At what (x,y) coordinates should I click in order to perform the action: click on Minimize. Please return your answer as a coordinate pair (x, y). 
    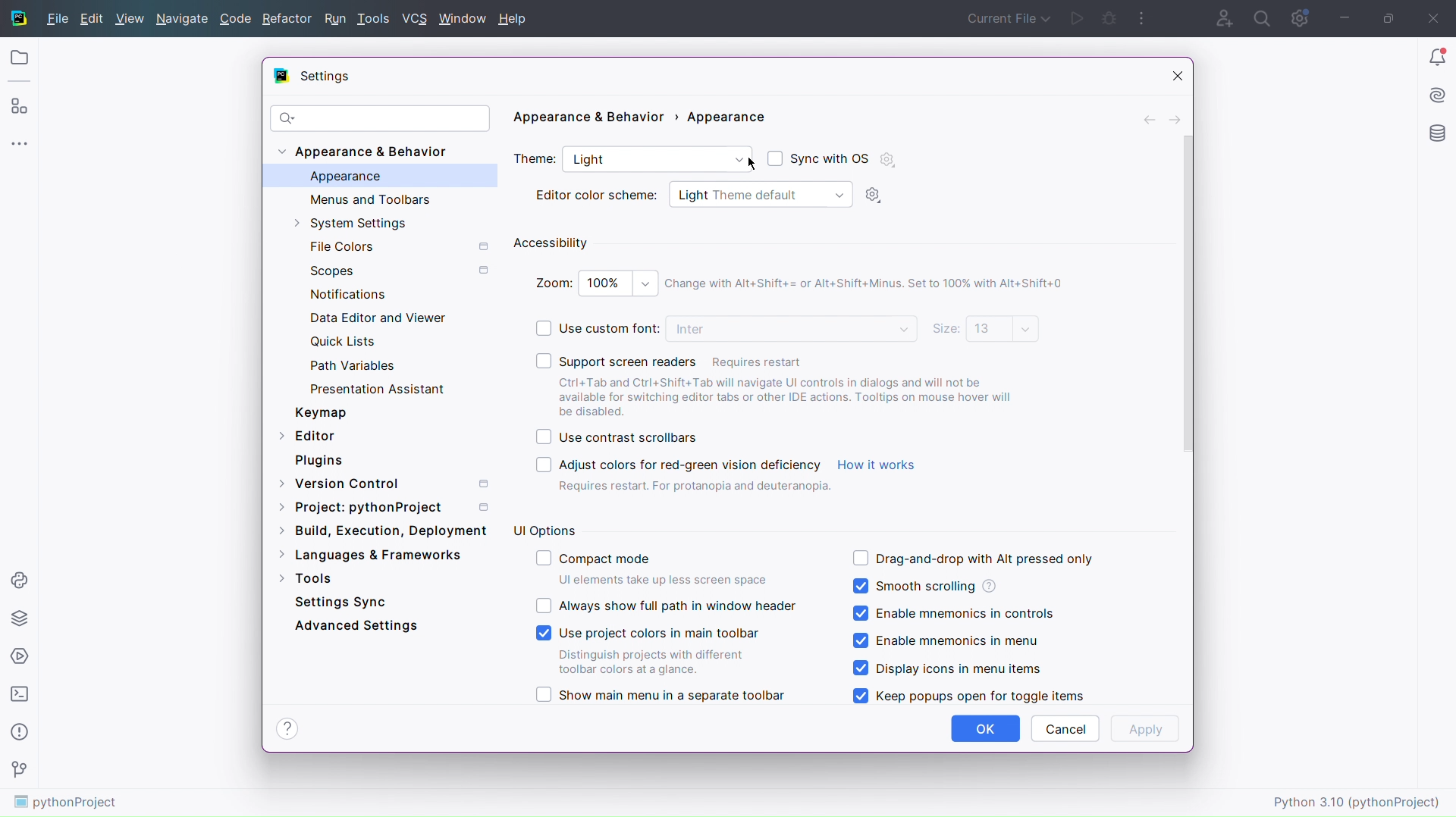
    Looking at the image, I should click on (1342, 17).